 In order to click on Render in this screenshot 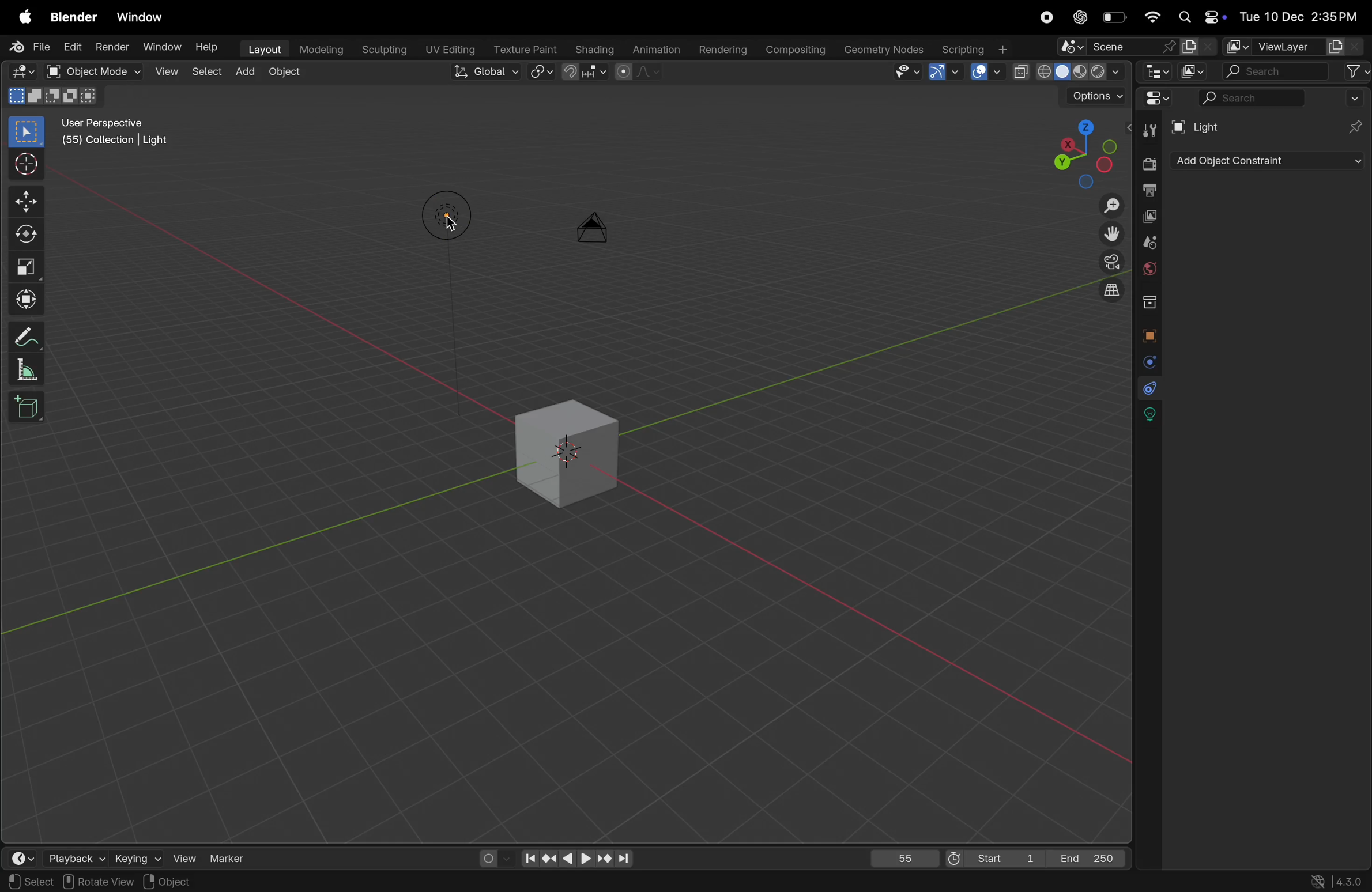, I will do `click(111, 47)`.